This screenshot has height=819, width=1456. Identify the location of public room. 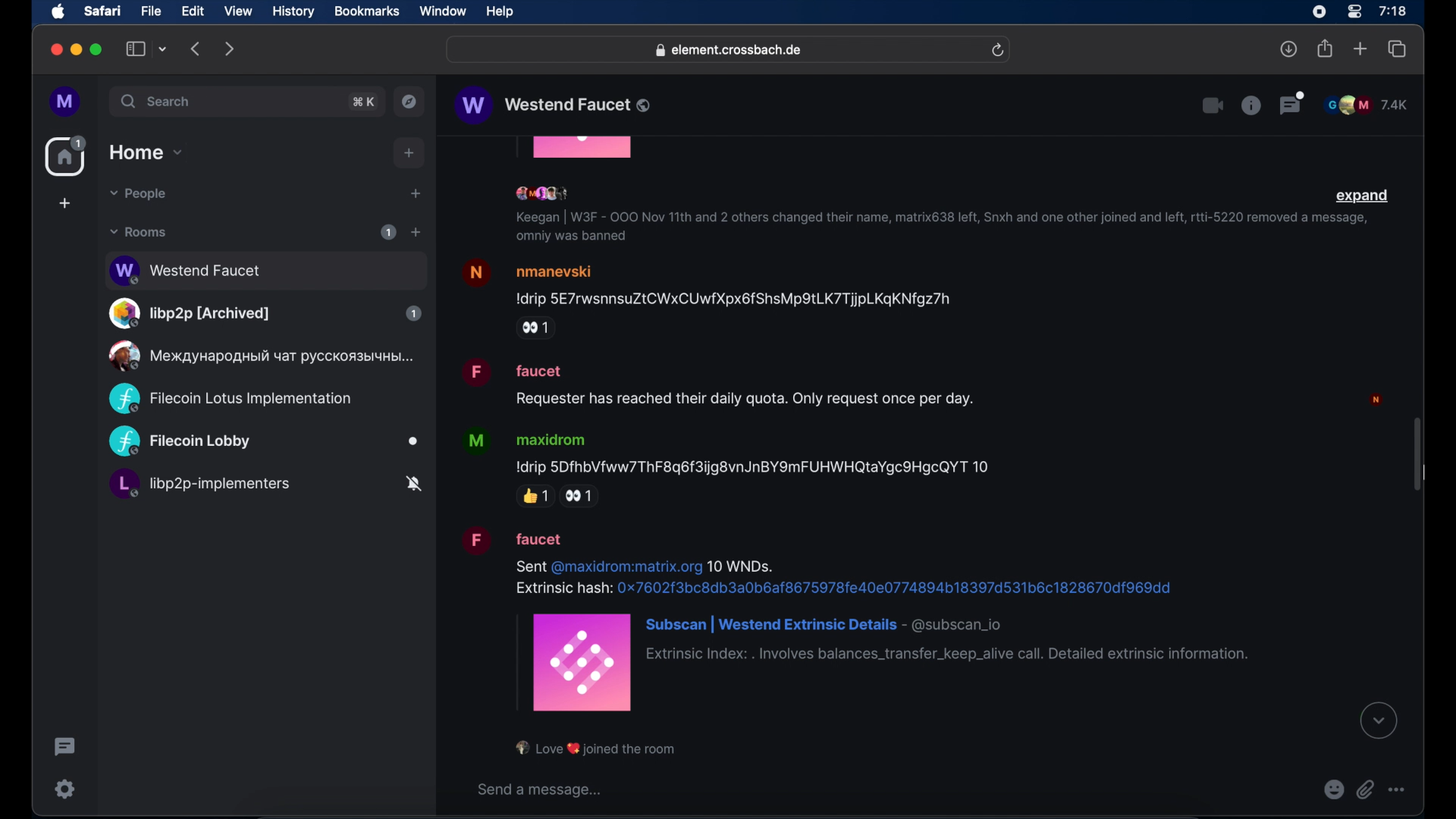
(265, 268).